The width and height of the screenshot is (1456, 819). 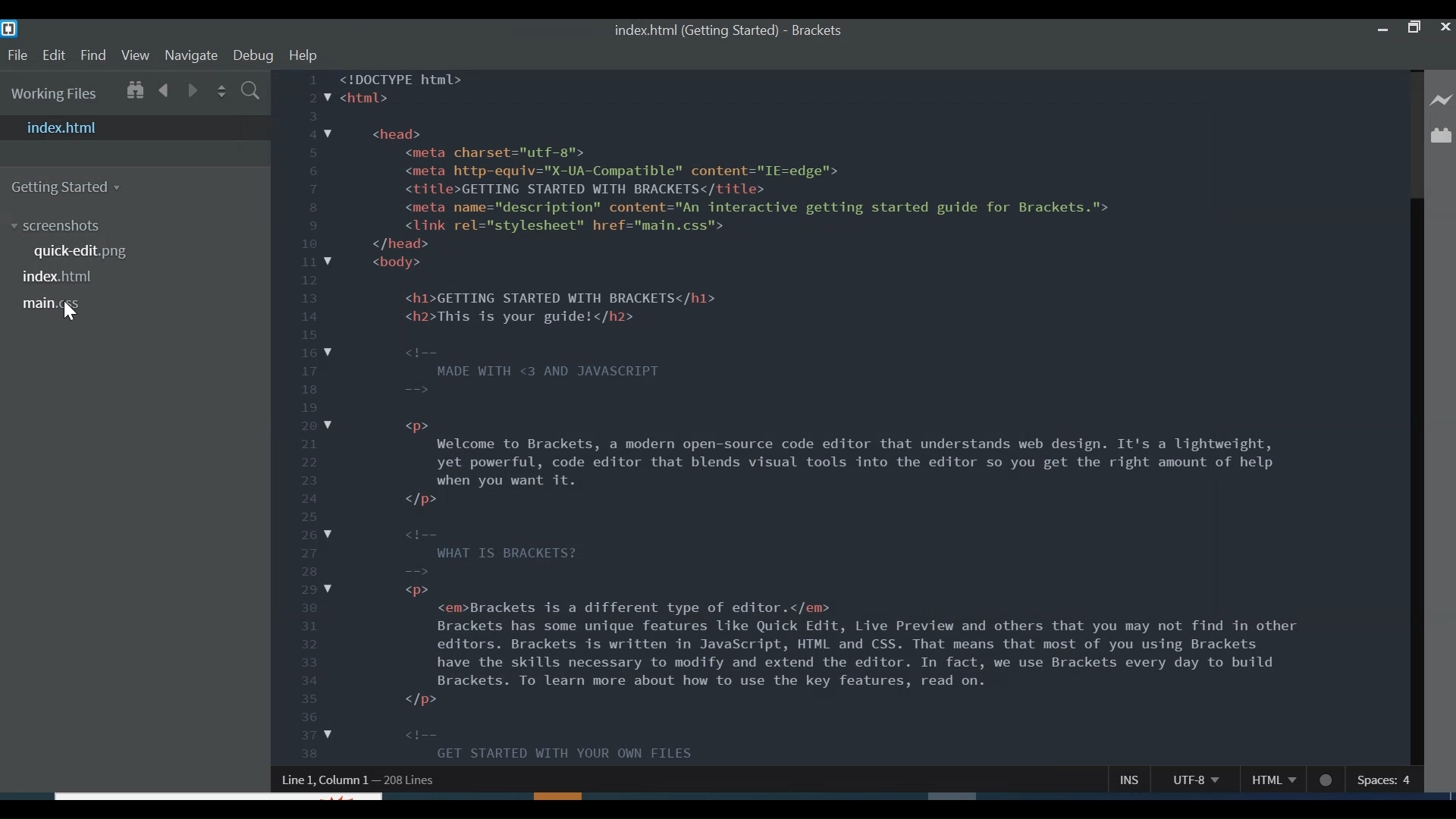 What do you see at coordinates (53, 56) in the screenshot?
I see `Edit` at bounding box center [53, 56].